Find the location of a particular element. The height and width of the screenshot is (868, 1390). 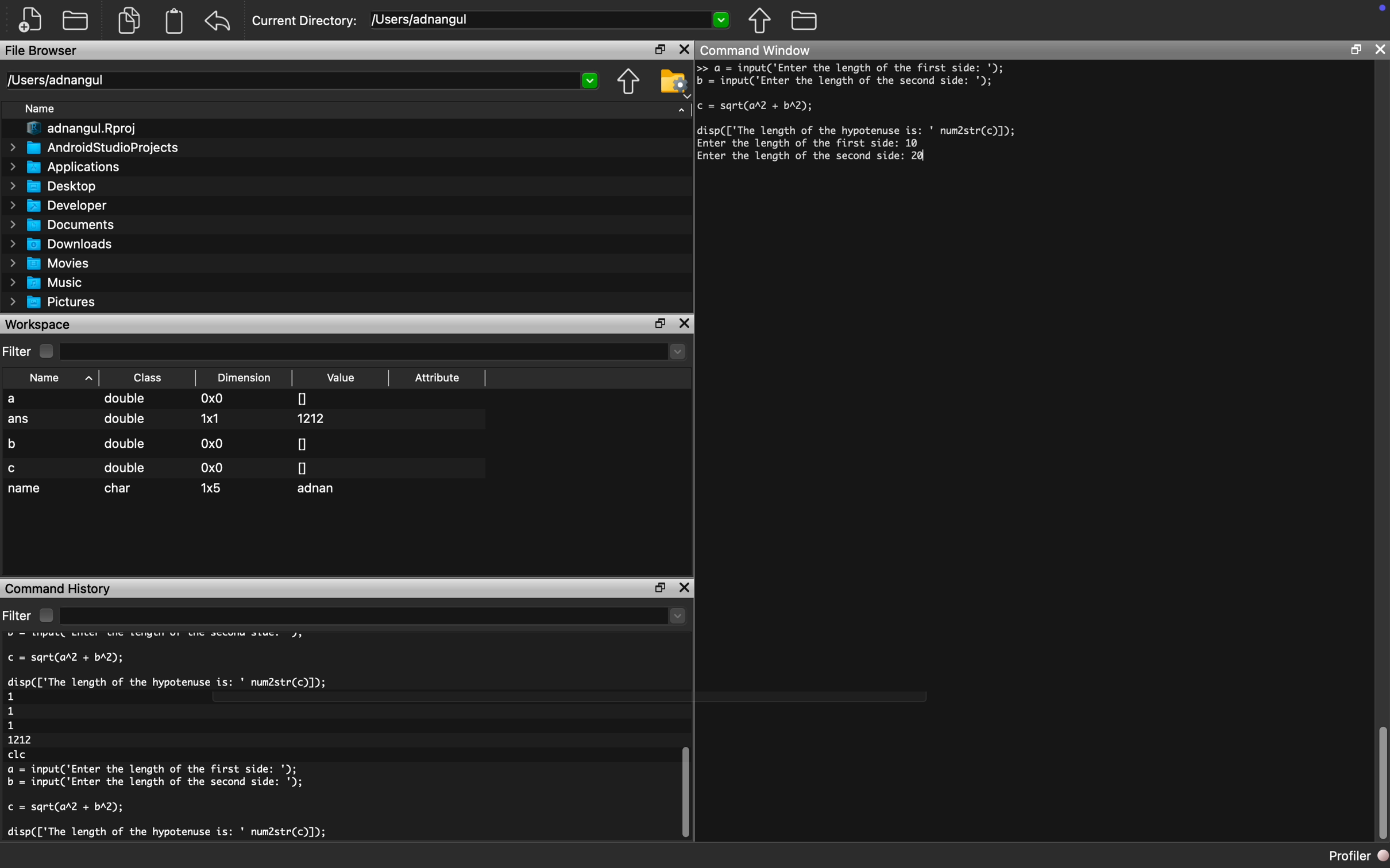

profiler is located at coordinates (1346, 855).